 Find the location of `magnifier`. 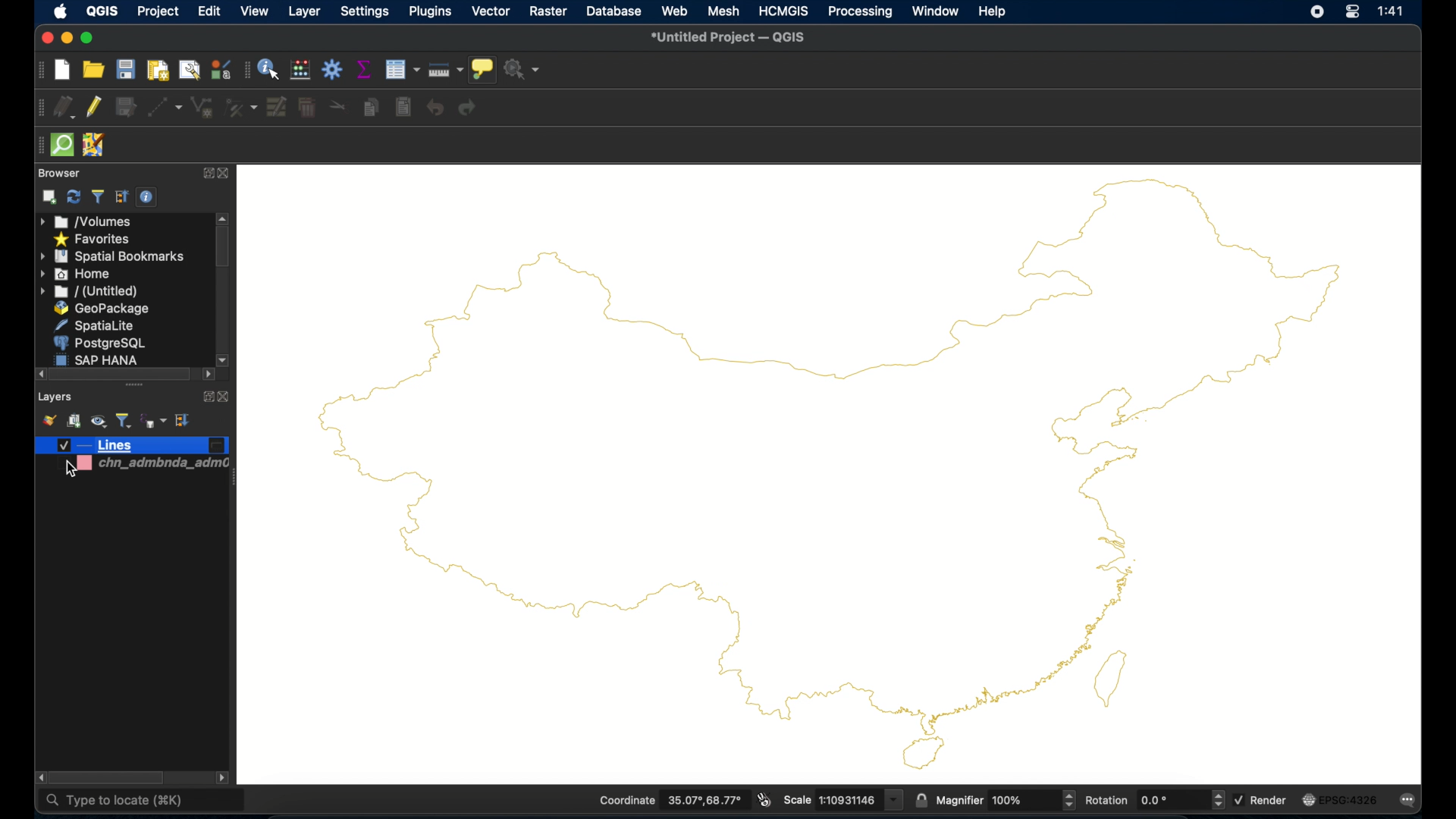

magnifier is located at coordinates (1006, 799).